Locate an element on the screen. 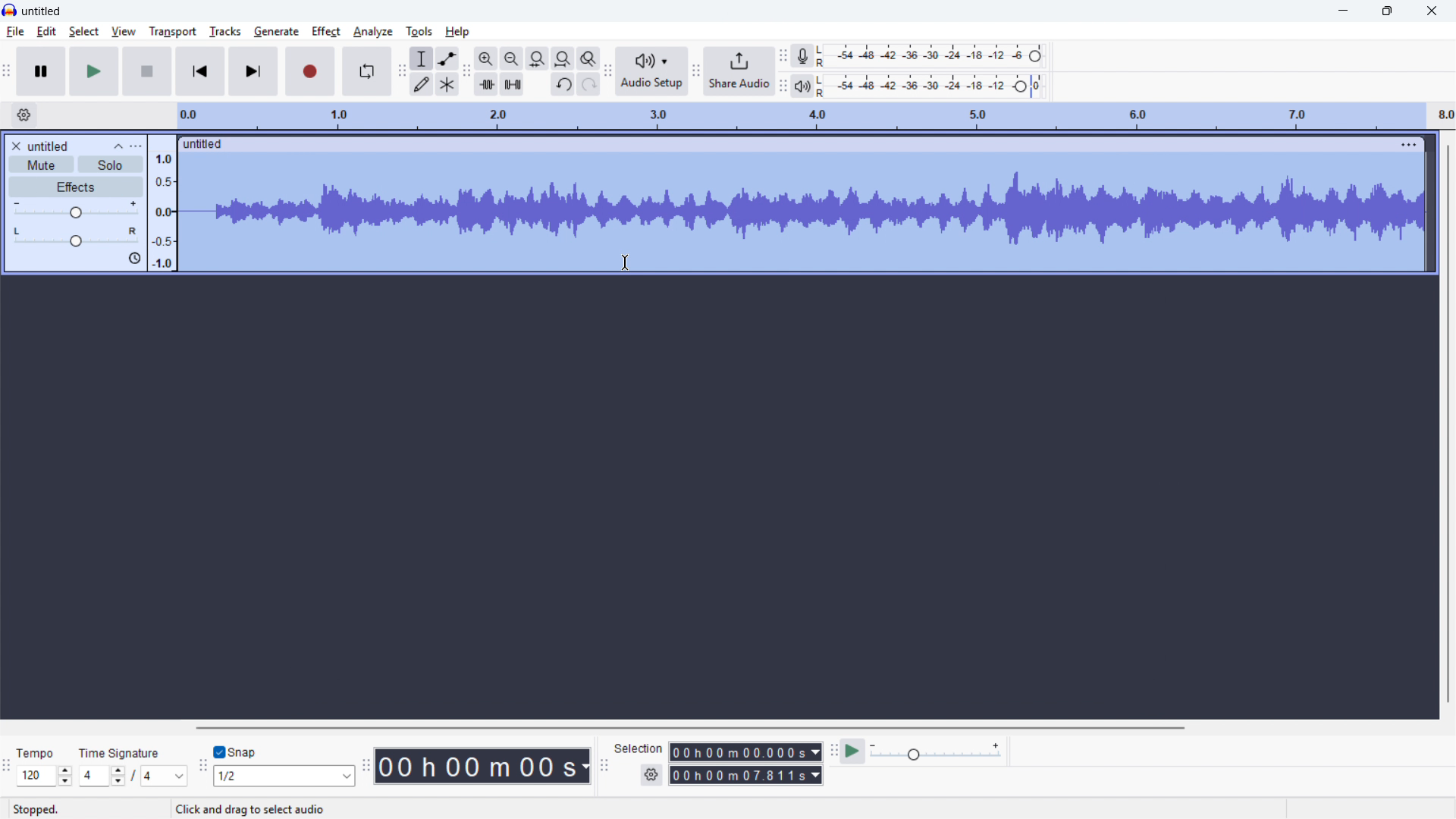 This screenshot has height=819, width=1456. Audio setup toolbar  is located at coordinates (608, 72).